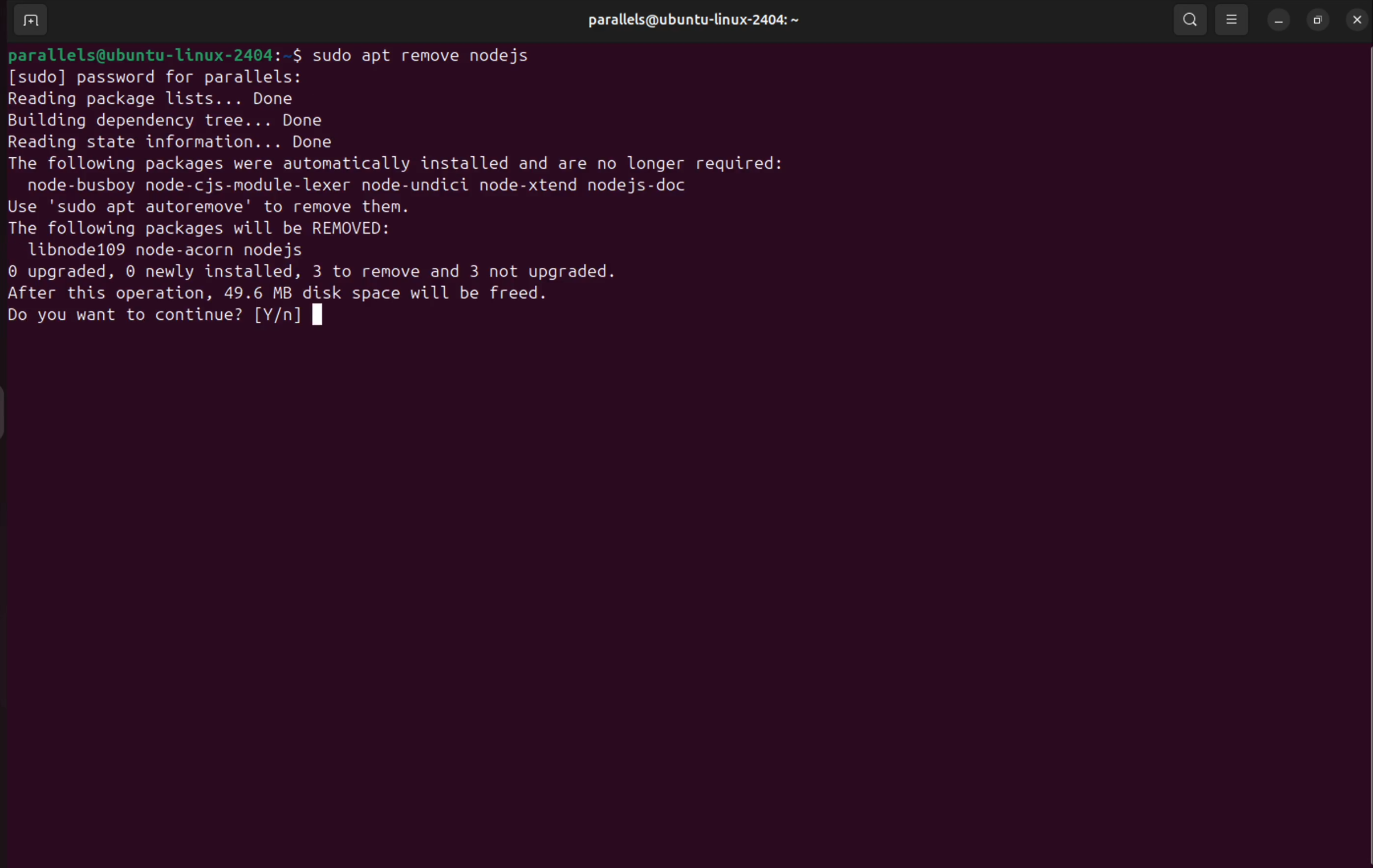 The image size is (1373, 868). Describe the element at coordinates (1191, 20) in the screenshot. I see `search` at that location.